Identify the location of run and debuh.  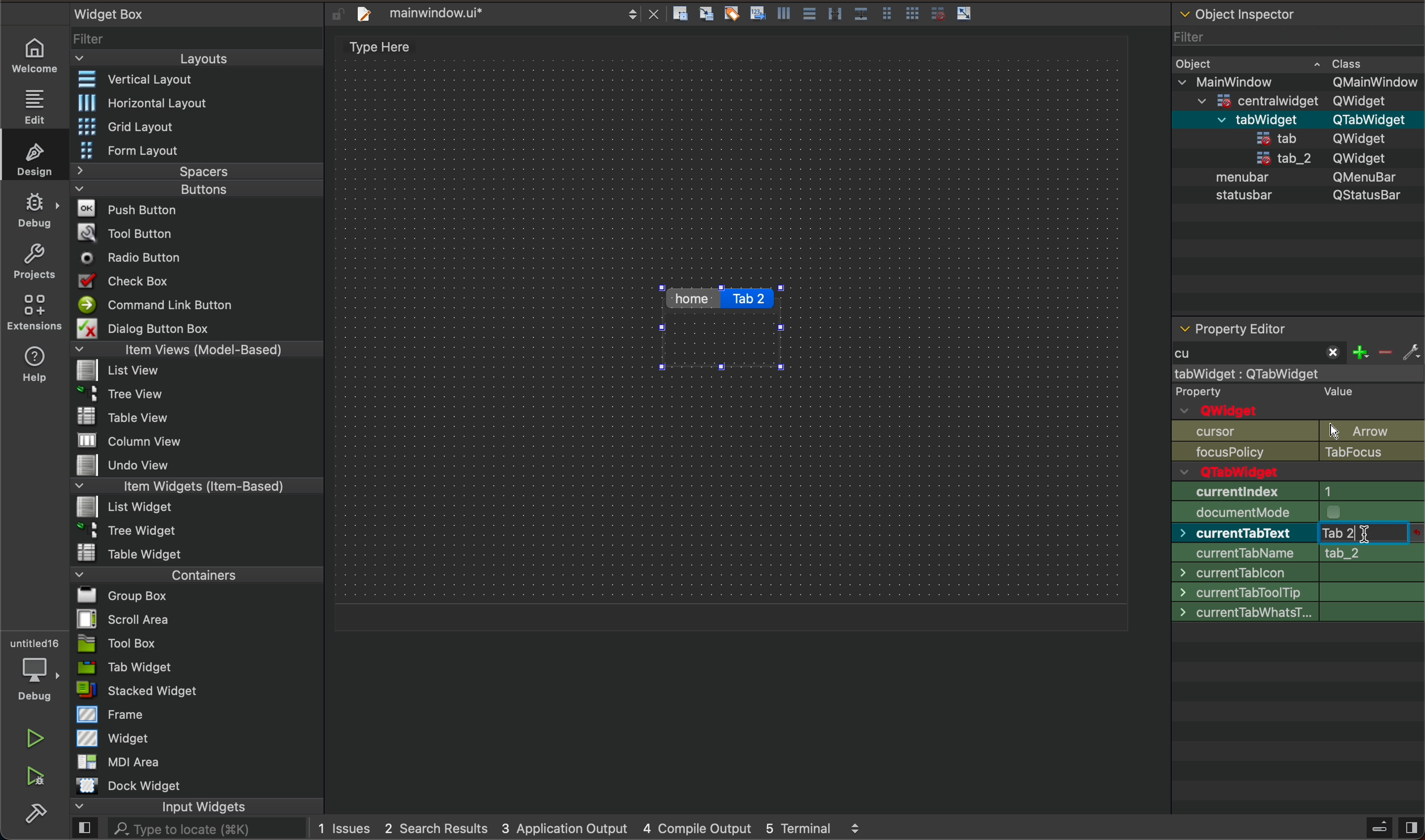
(42, 777).